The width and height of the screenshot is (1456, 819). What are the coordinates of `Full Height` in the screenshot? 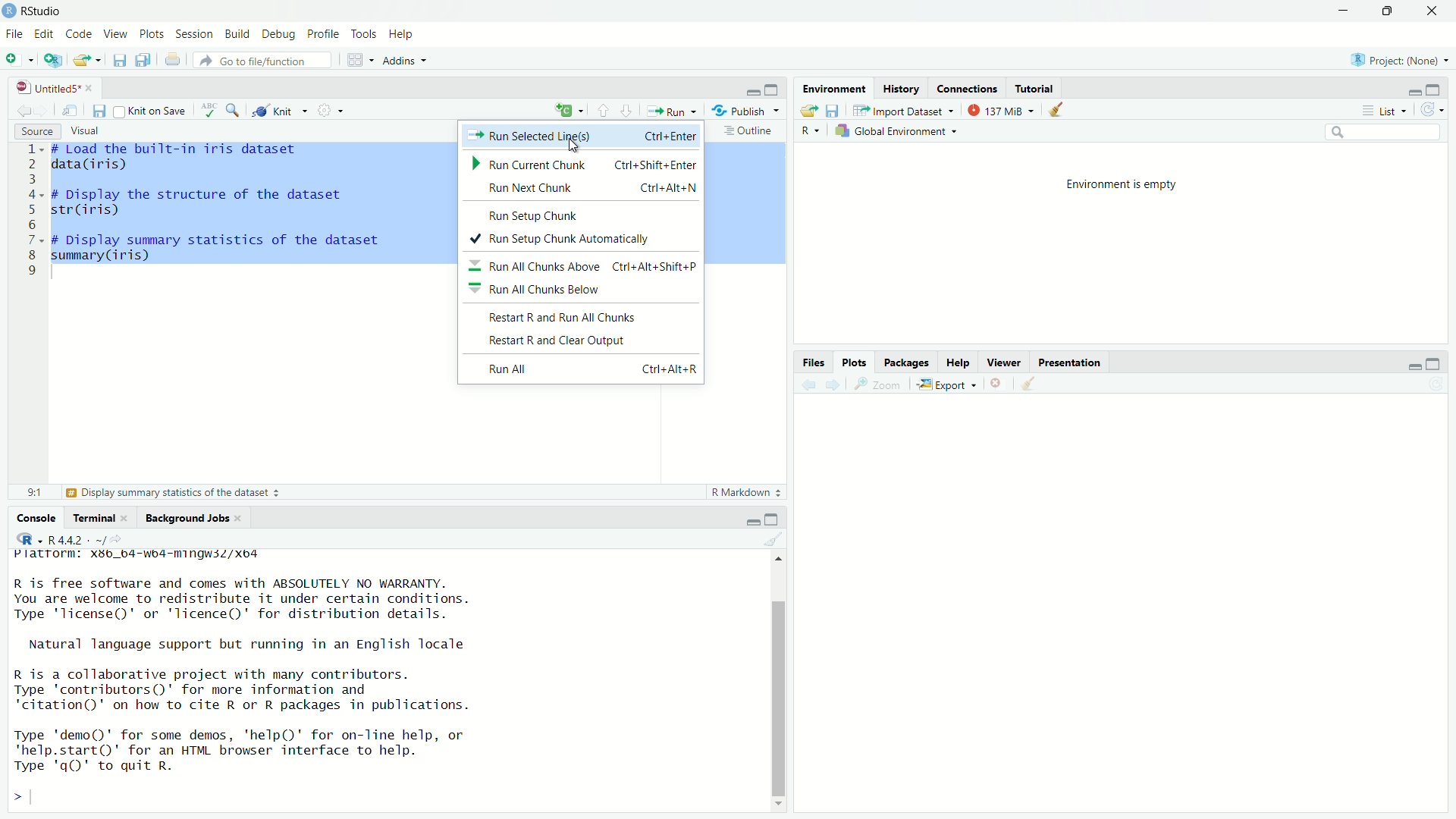 It's located at (1434, 363).